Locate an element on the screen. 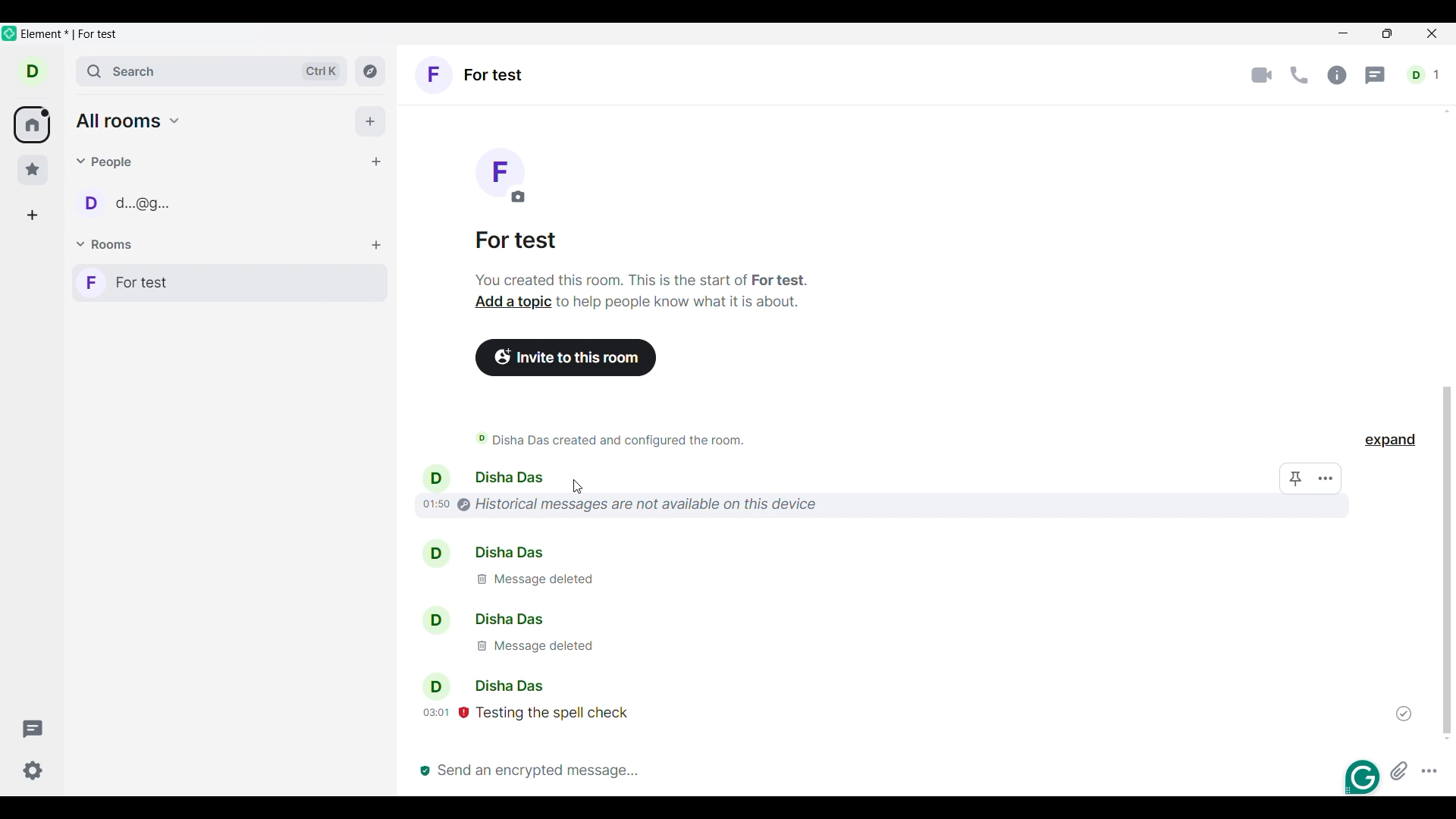 This screenshot has height=819, width=1456. historical messages are not available on this device is located at coordinates (620, 503).